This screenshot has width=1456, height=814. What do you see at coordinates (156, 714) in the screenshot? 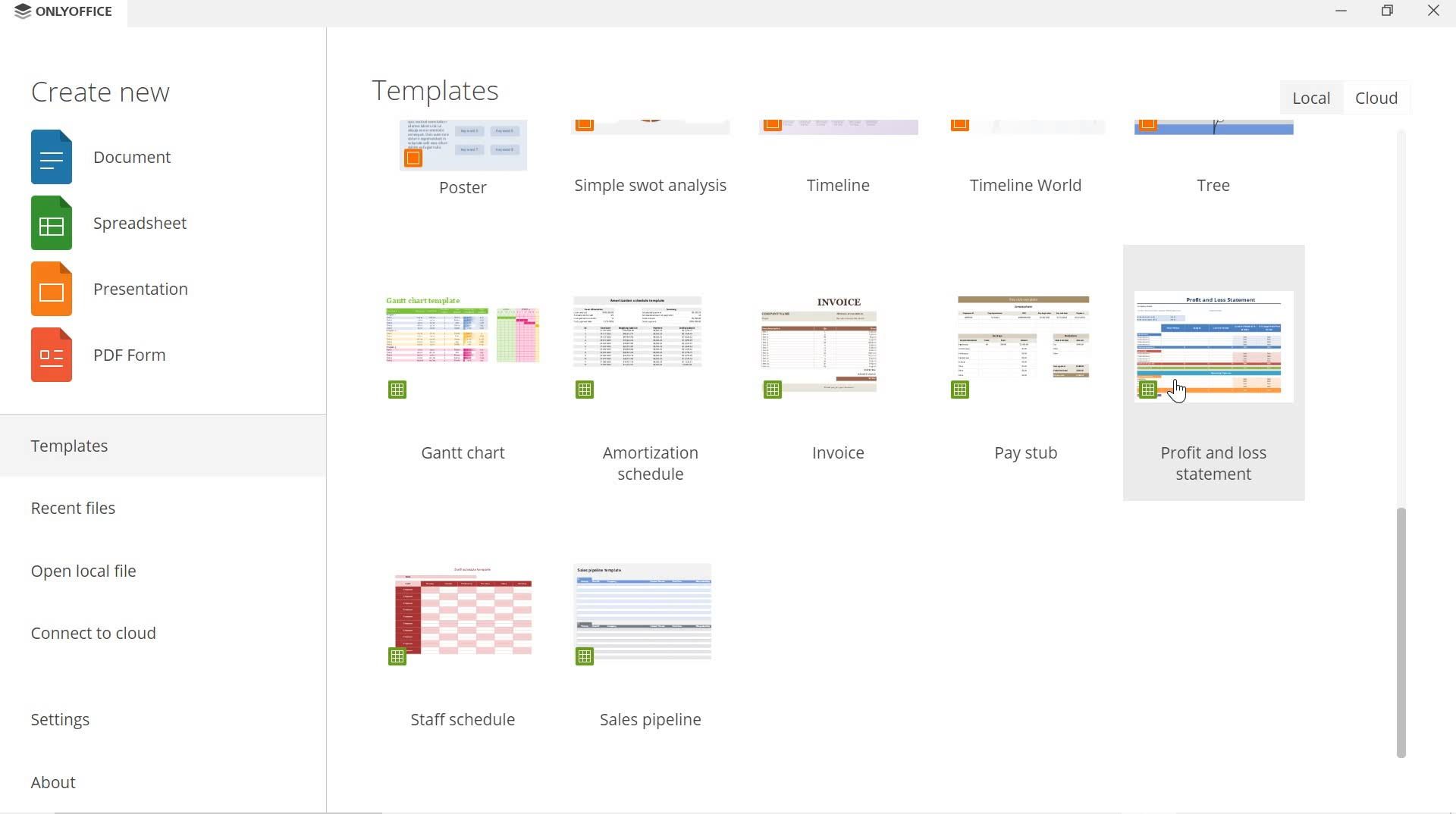
I see `settings` at bounding box center [156, 714].